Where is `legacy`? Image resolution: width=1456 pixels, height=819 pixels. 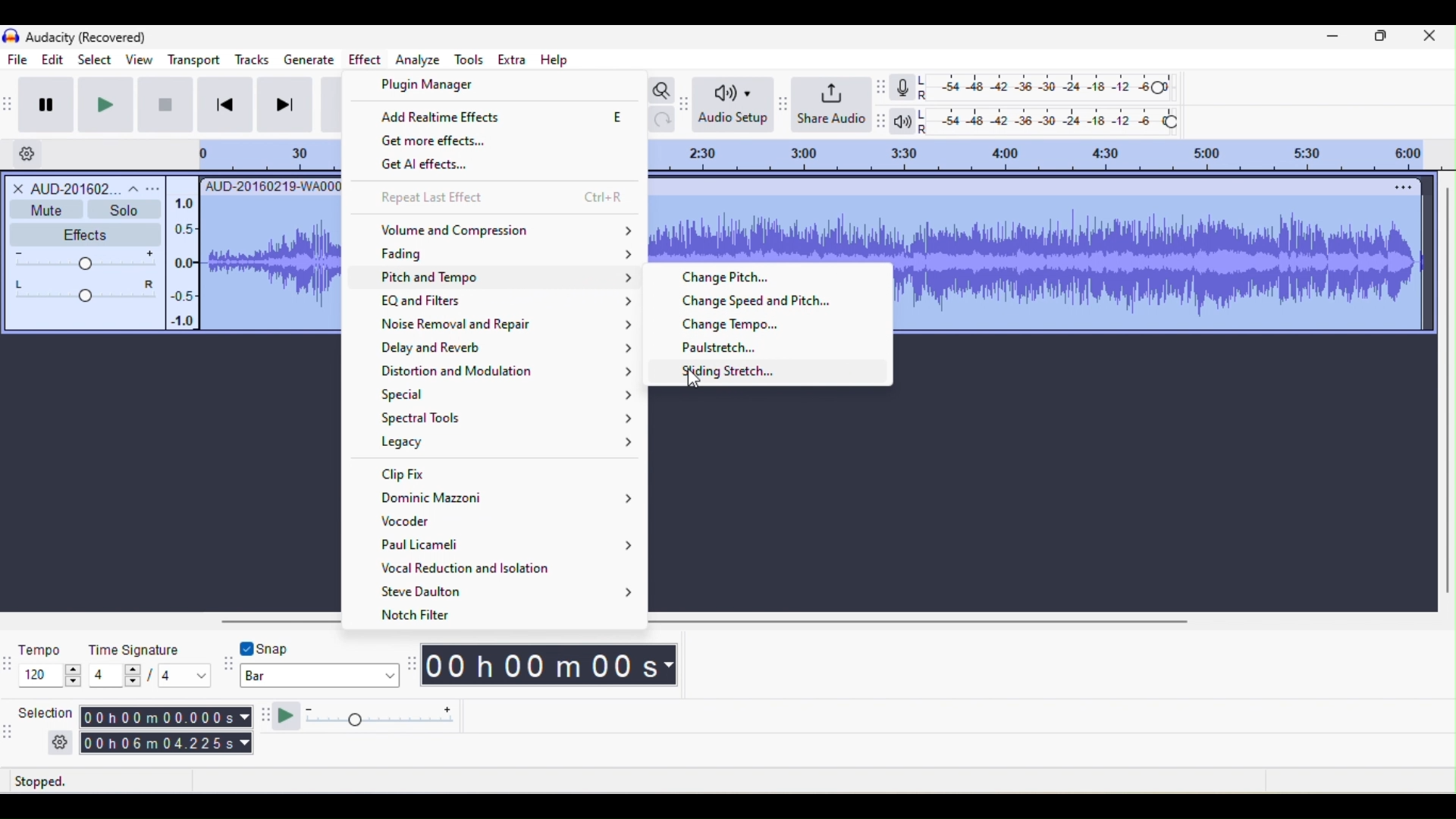 legacy is located at coordinates (504, 443).